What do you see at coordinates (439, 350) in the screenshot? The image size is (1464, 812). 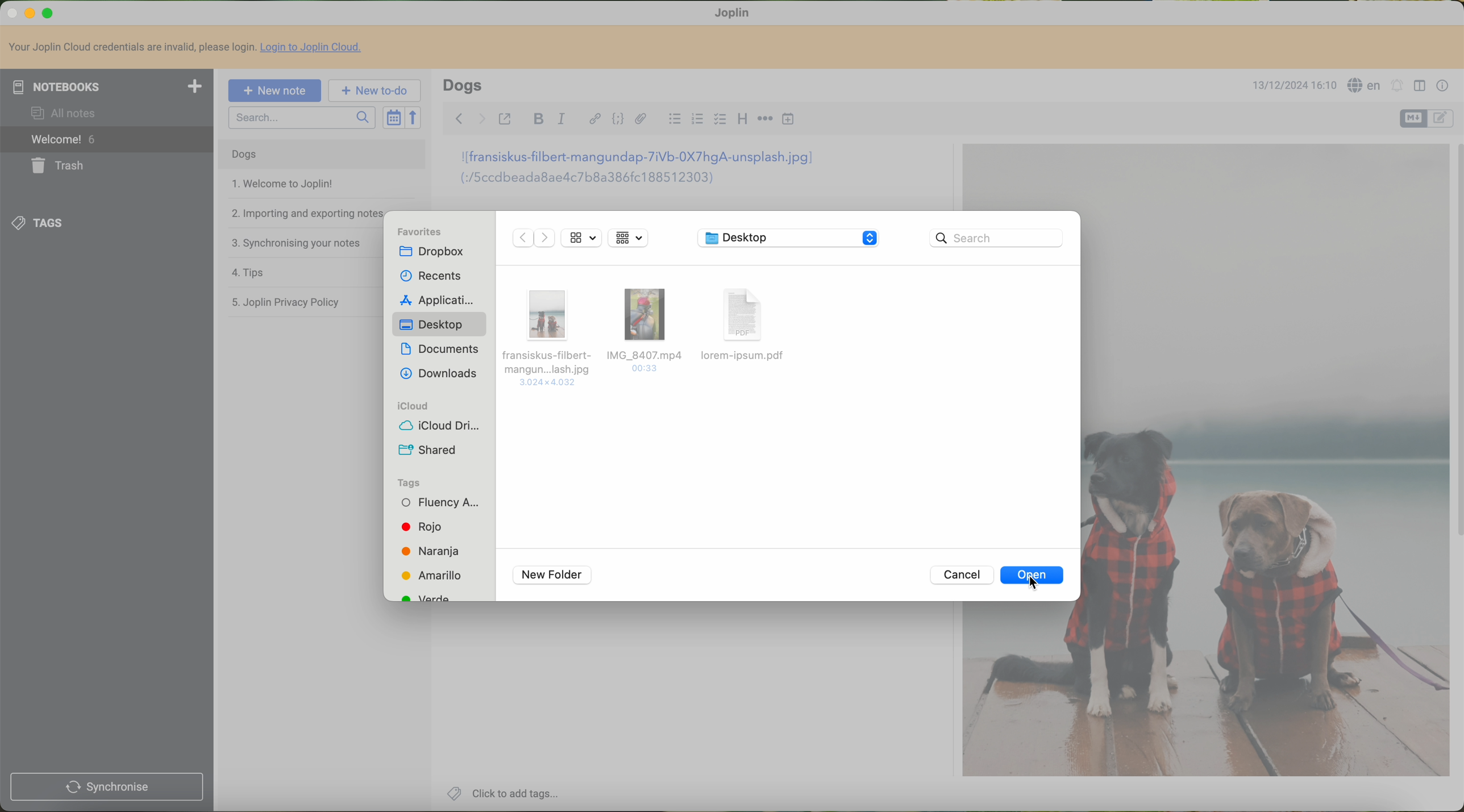 I see `documents` at bounding box center [439, 350].